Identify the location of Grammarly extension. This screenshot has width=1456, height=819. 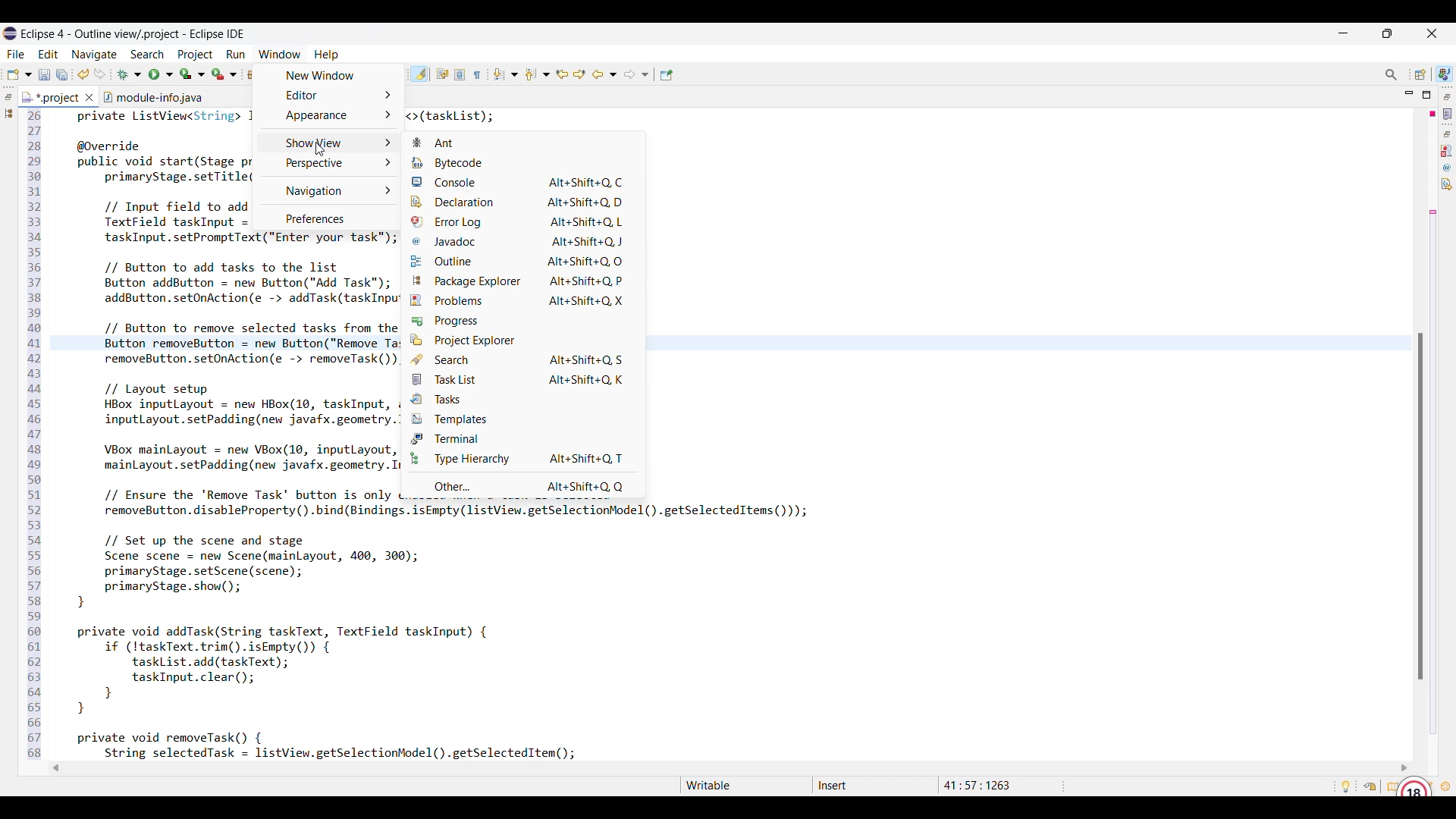
(1414, 785).